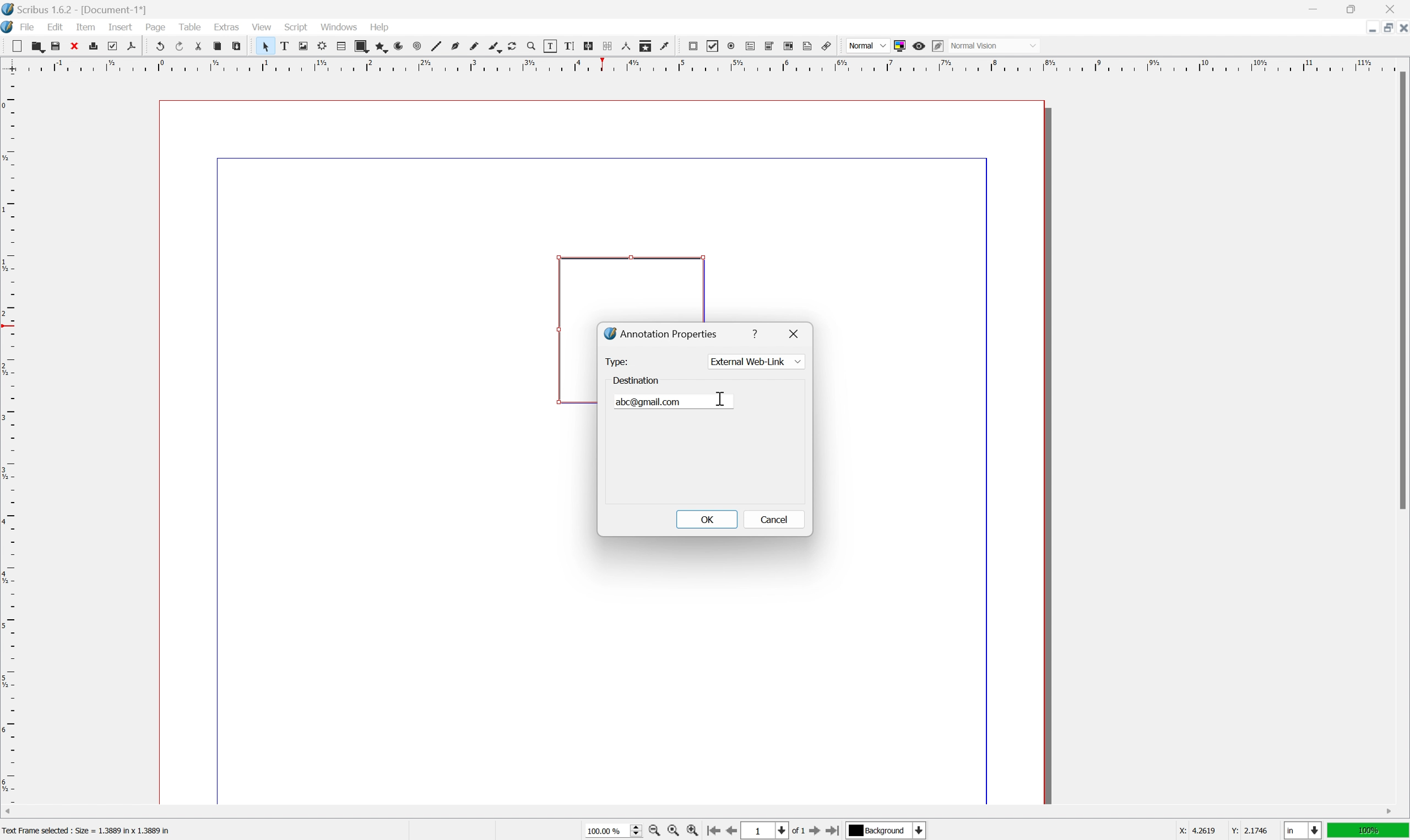 This screenshot has height=840, width=1410. What do you see at coordinates (284, 46) in the screenshot?
I see `text frame` at bounding box center [284, 46].